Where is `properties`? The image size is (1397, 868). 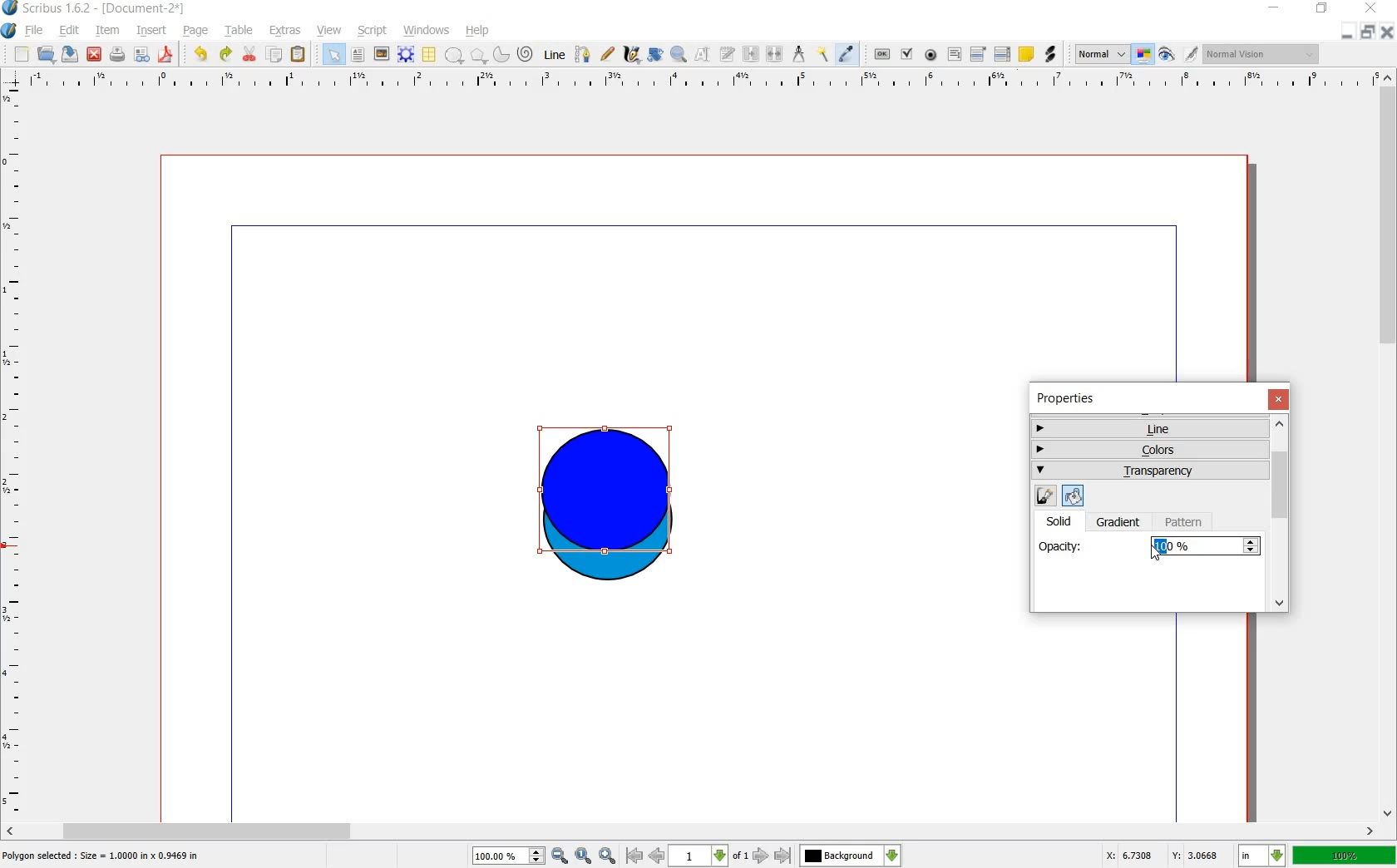 properties is located at coordinates (1071, 398).